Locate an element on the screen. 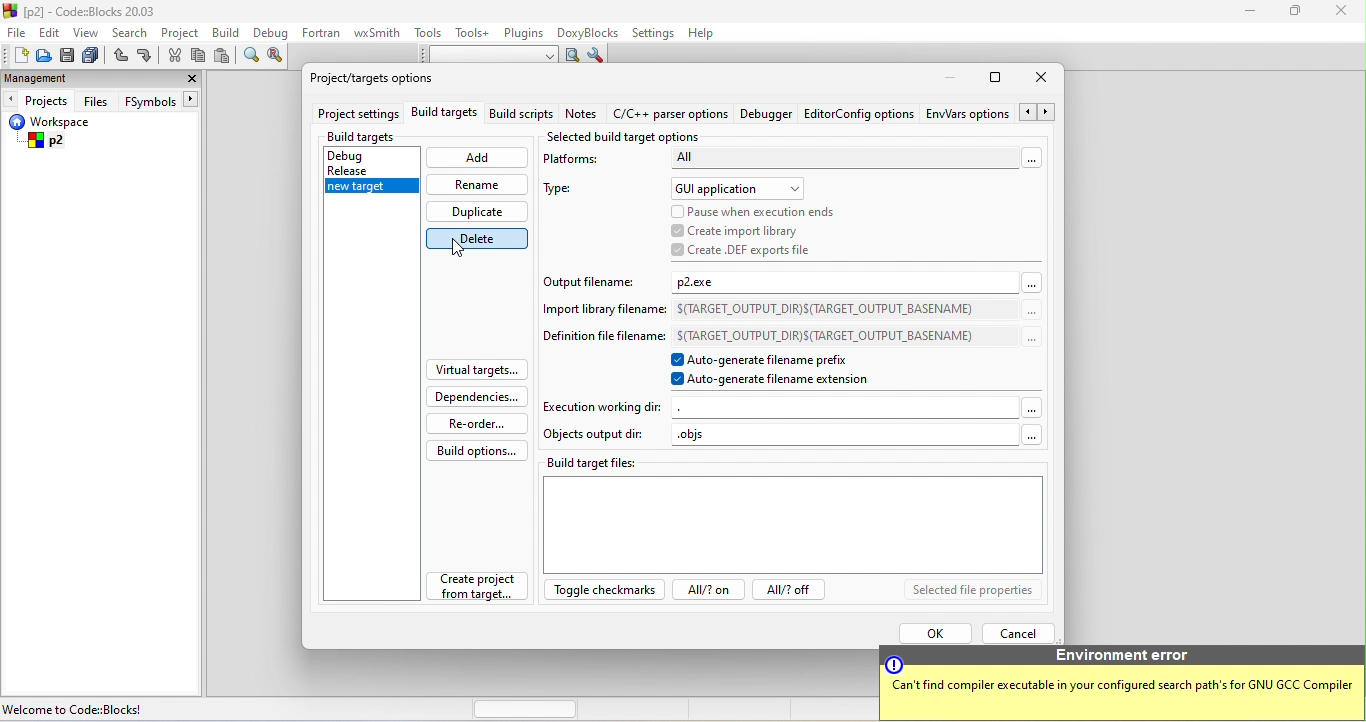  delete is located at coordinates (479, 239).